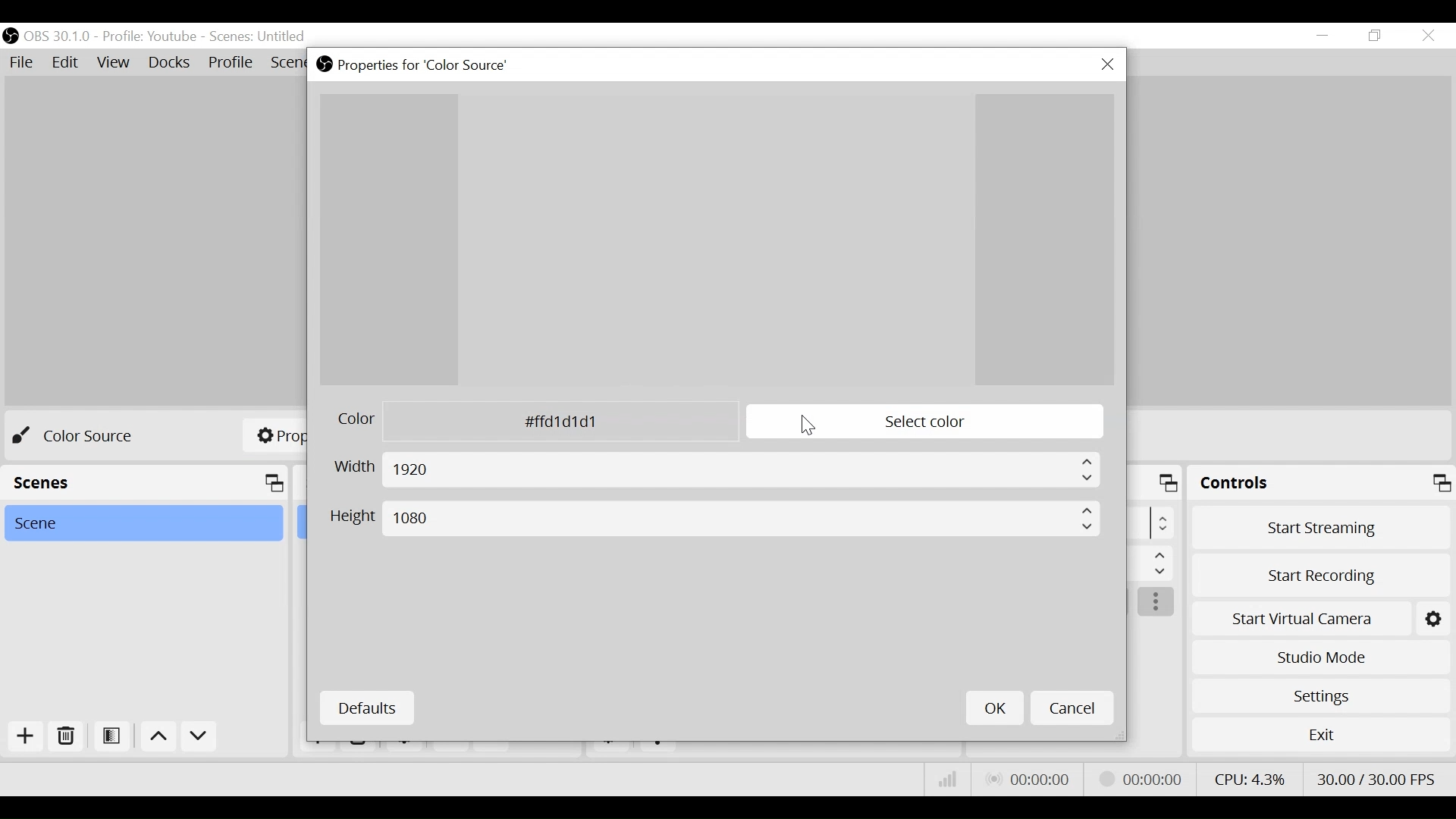 This screenshot has height=819, width=1456. Describe the element at coordinates (259, 37) in the screenshot. I see `Scenes` at that location.